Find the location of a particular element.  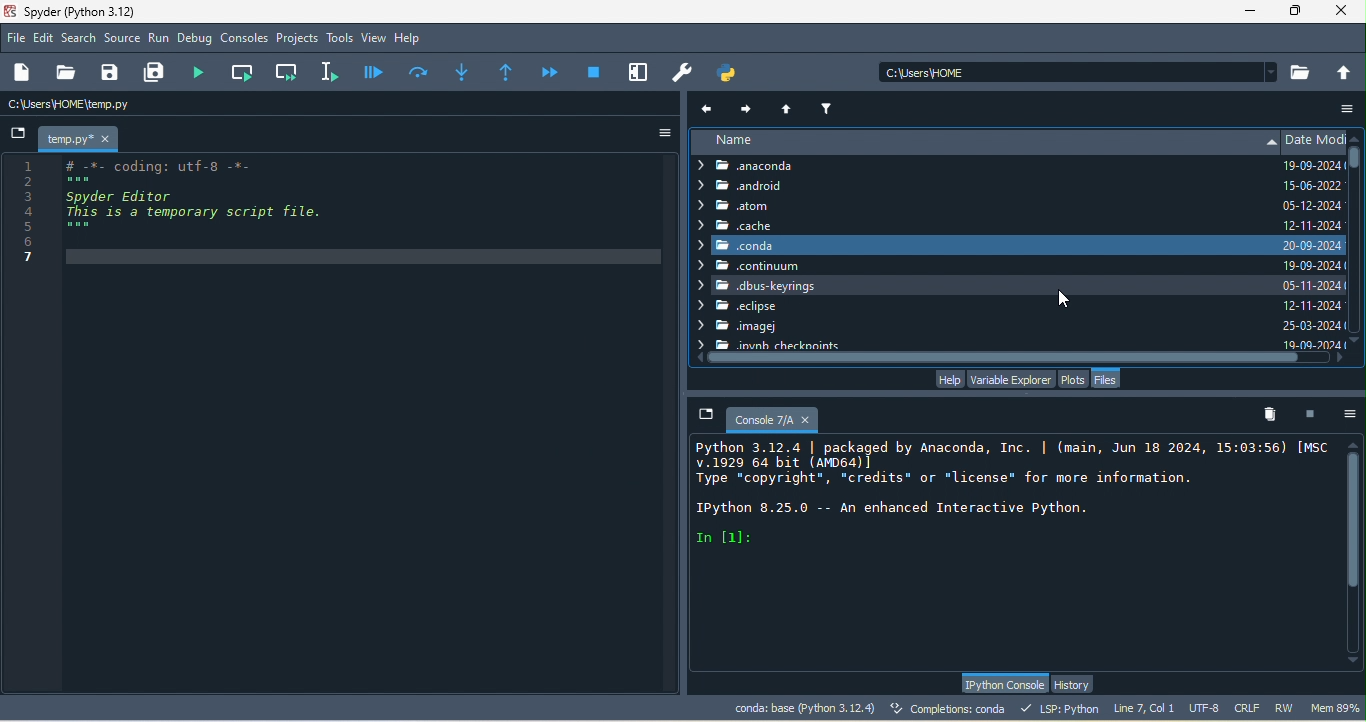

file is located at coordinates (1109, 379).